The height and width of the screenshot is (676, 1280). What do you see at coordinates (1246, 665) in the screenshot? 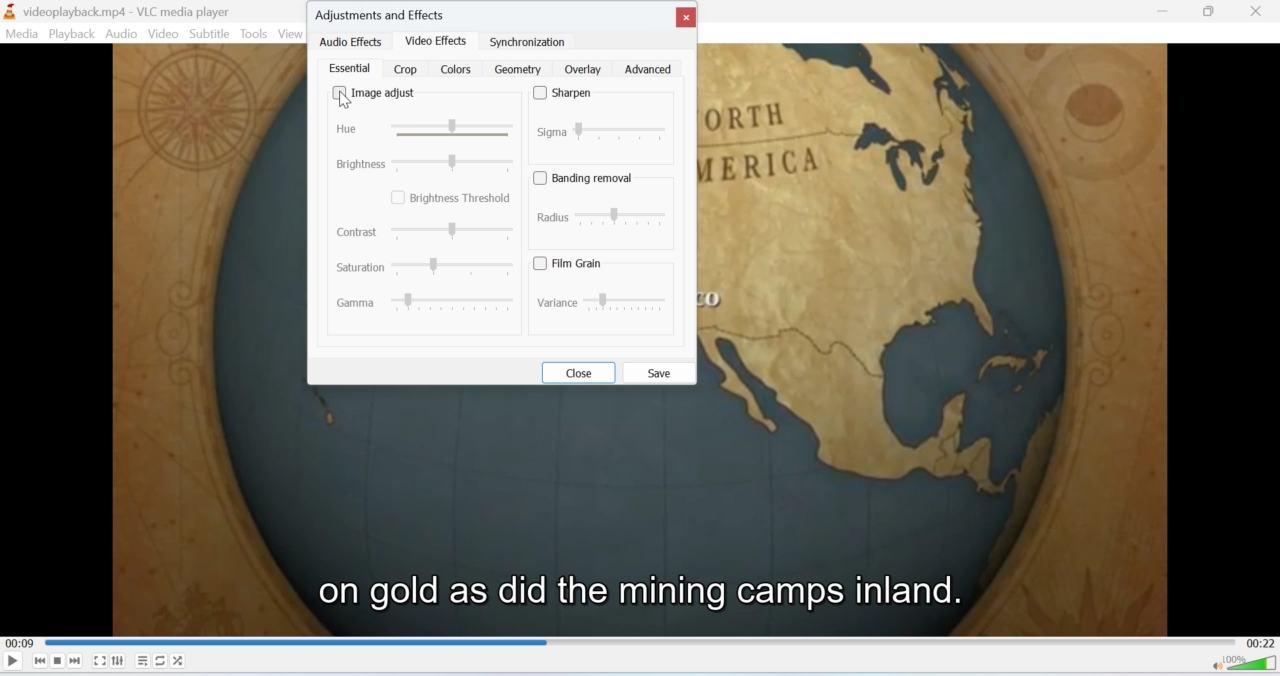
I see `Volume` at bounding box center [1246, 665].